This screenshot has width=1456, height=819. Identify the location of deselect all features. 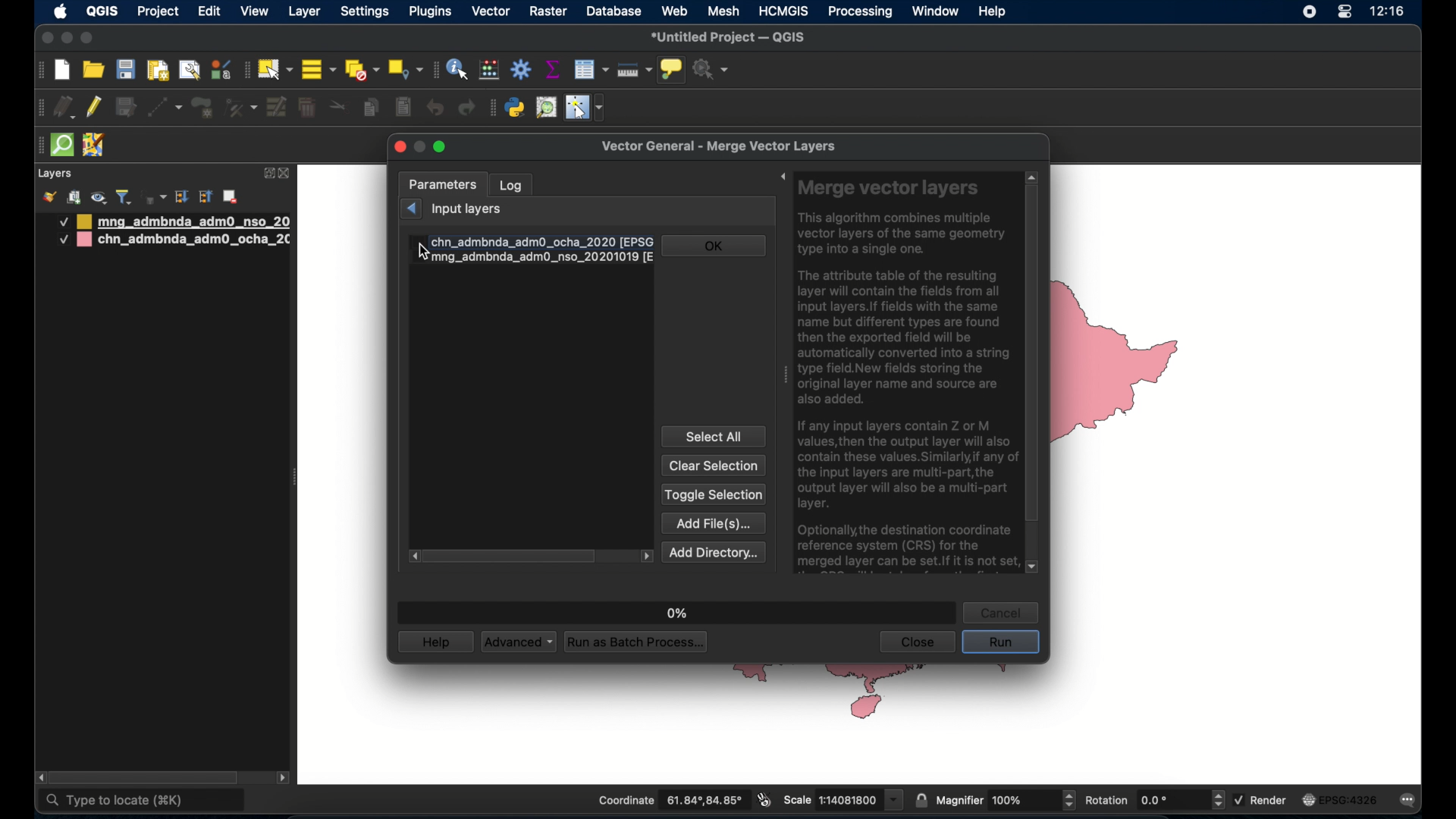
(362, 71).